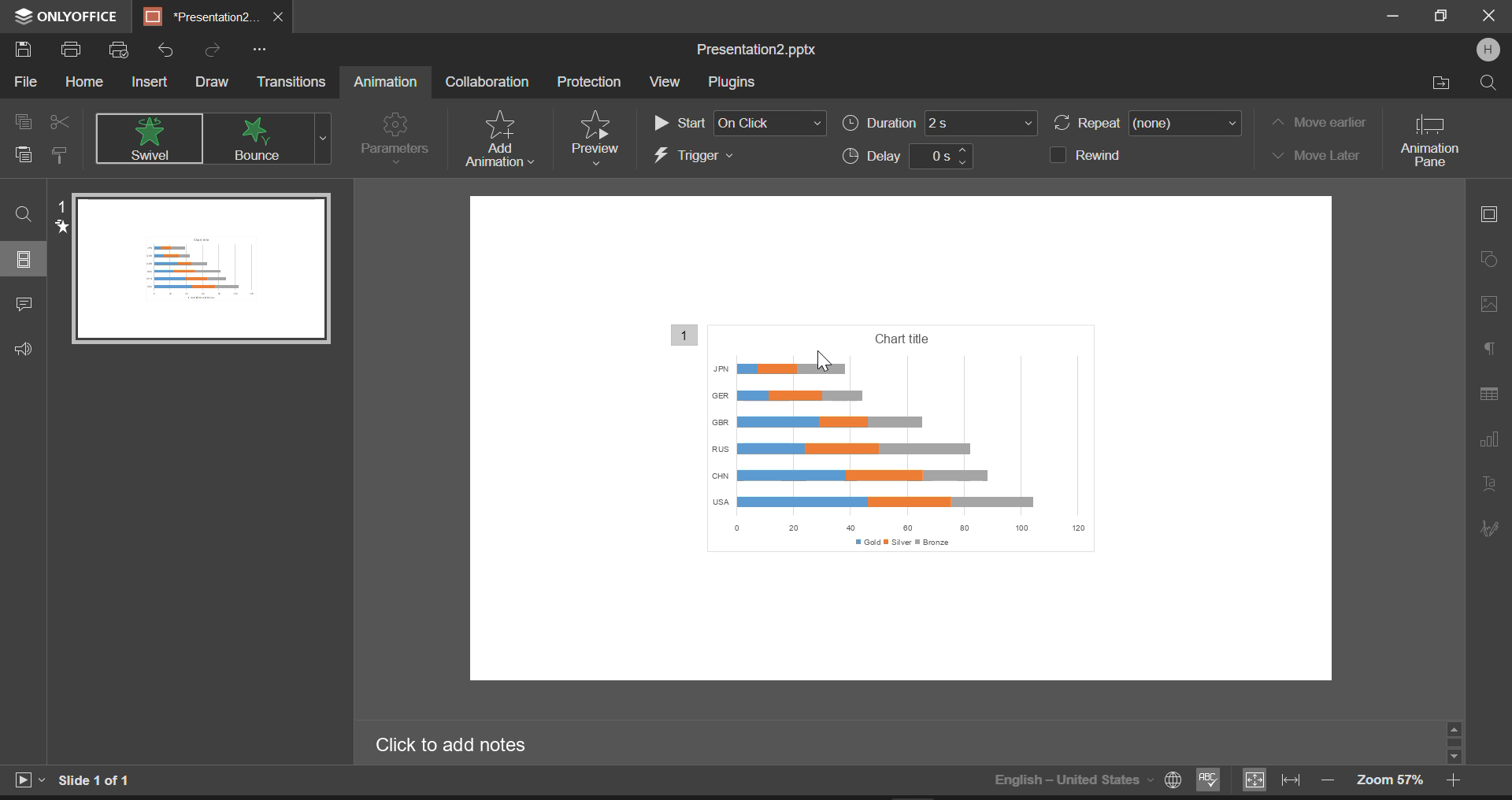 The height and width of the screenshot is (800, 1512). Describe the element at coordinates (1436, 139) in the screenshot. I see `Animation Pane` at that location.